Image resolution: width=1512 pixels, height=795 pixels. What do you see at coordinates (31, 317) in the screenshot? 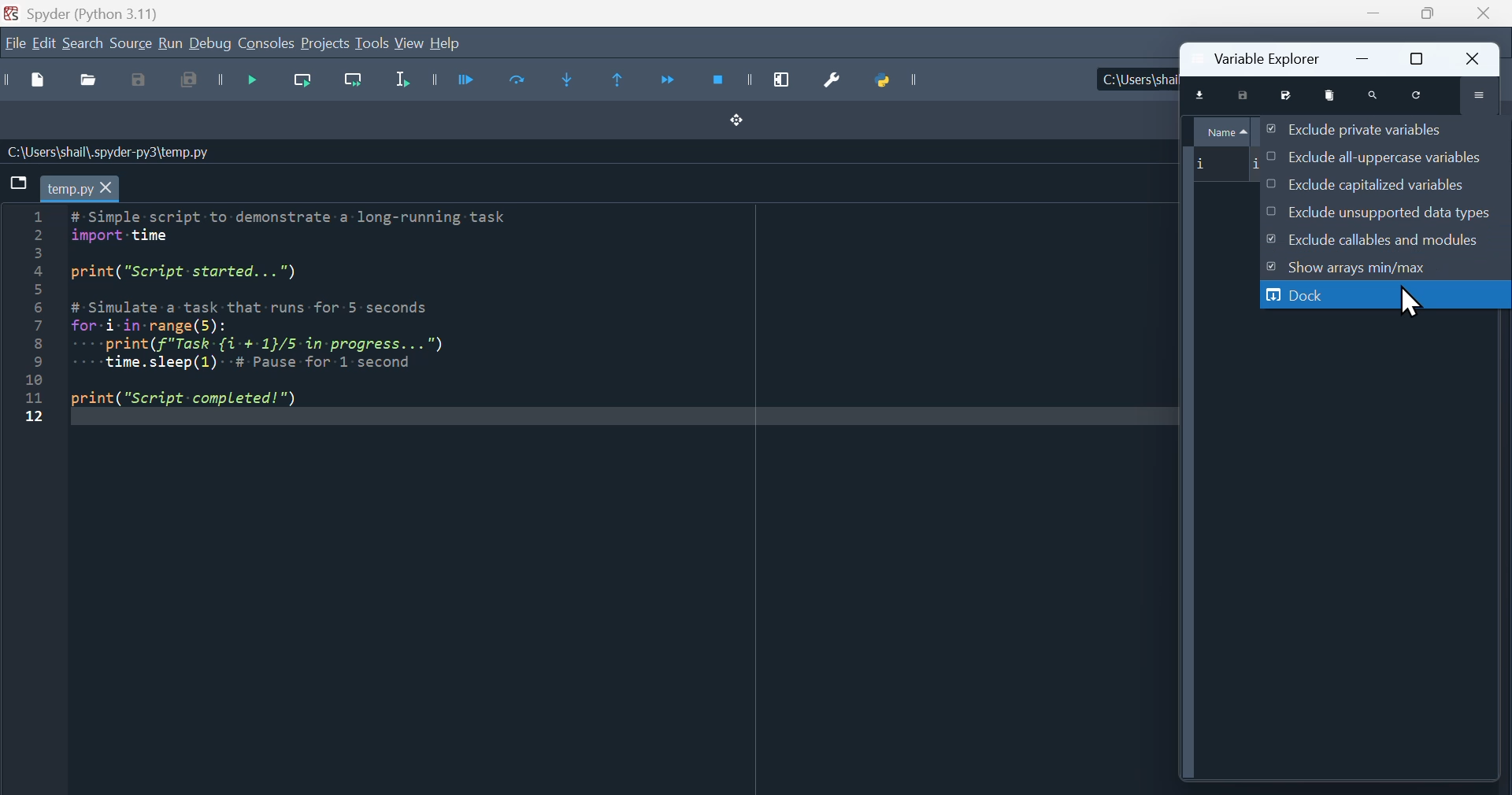
I see `line number` at bounding box center [31, 317].